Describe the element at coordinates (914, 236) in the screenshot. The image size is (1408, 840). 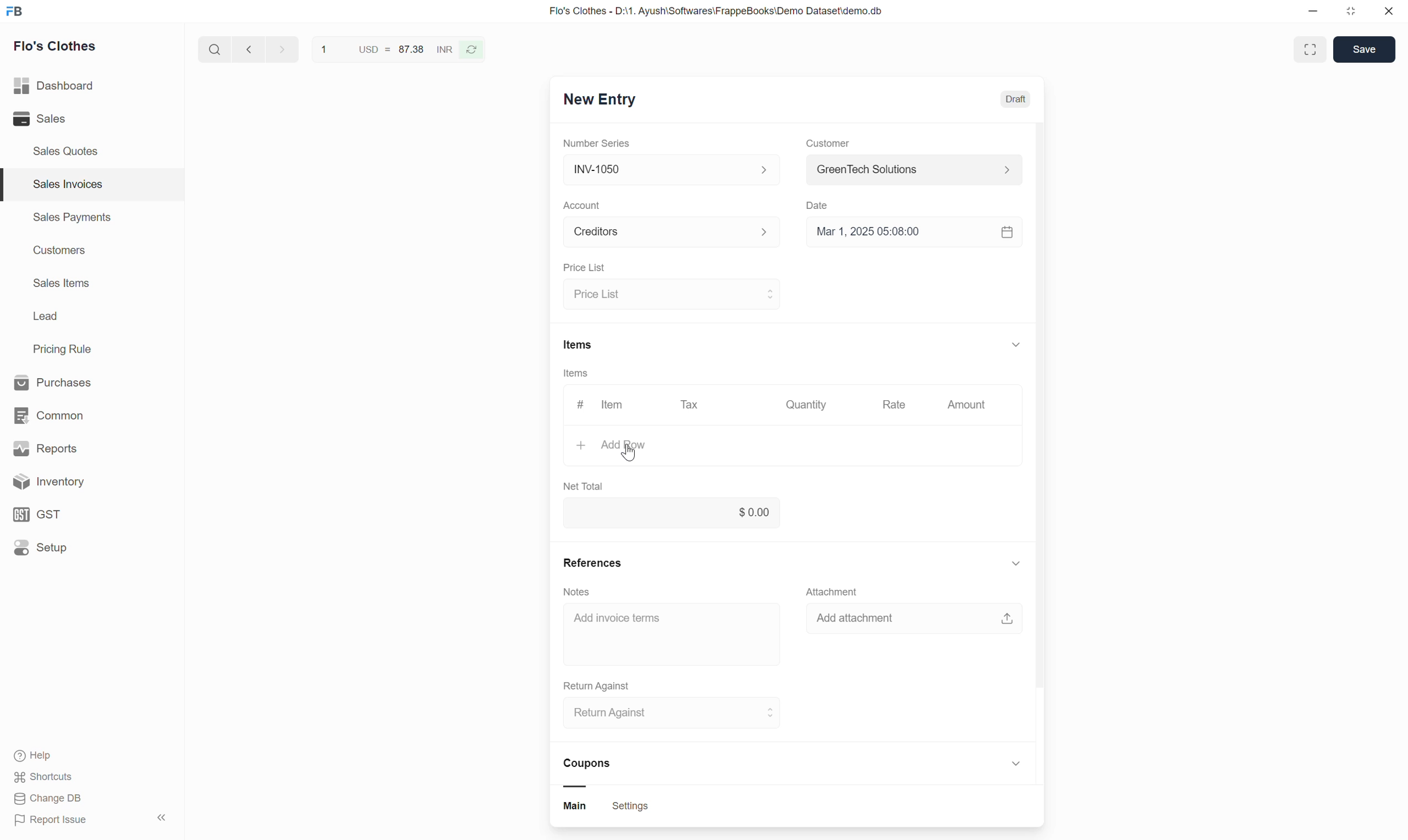
I see `Select date ` at that location.